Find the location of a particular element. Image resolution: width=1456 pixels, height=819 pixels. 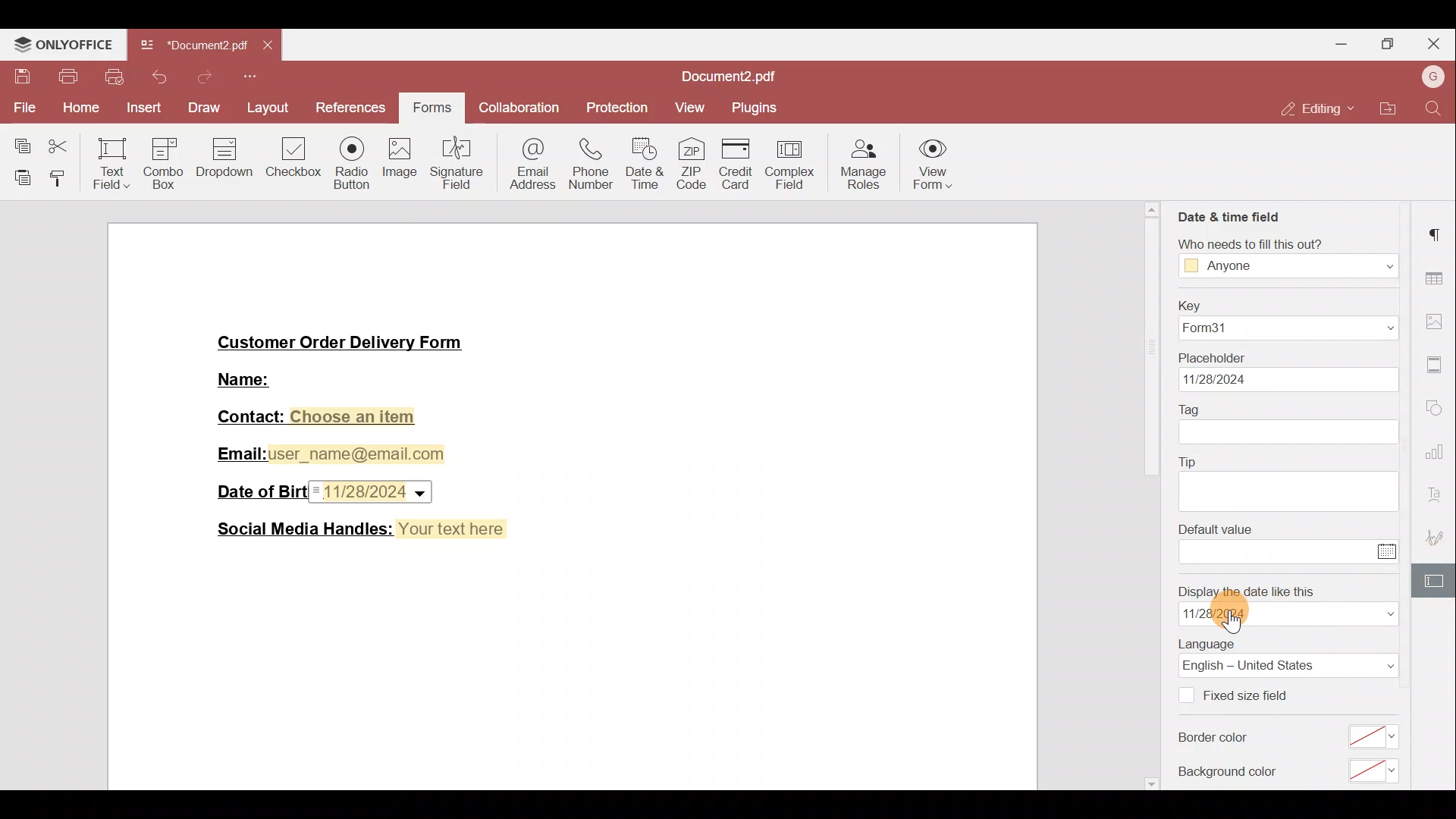

Language  is located at coordinates (1289, 665).